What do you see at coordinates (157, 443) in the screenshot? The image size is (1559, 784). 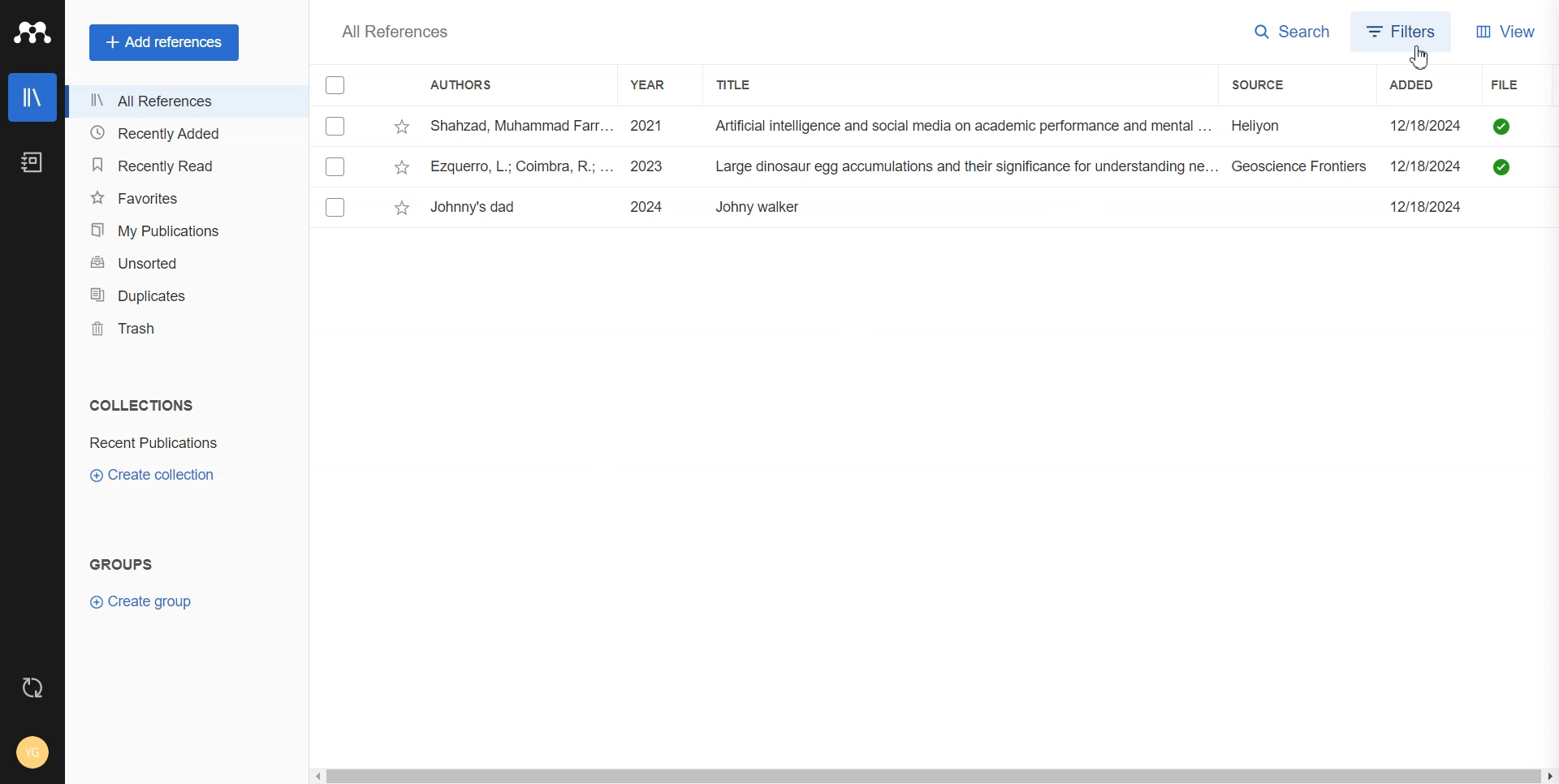 I see `Folder` at bounding box center [157, 443].